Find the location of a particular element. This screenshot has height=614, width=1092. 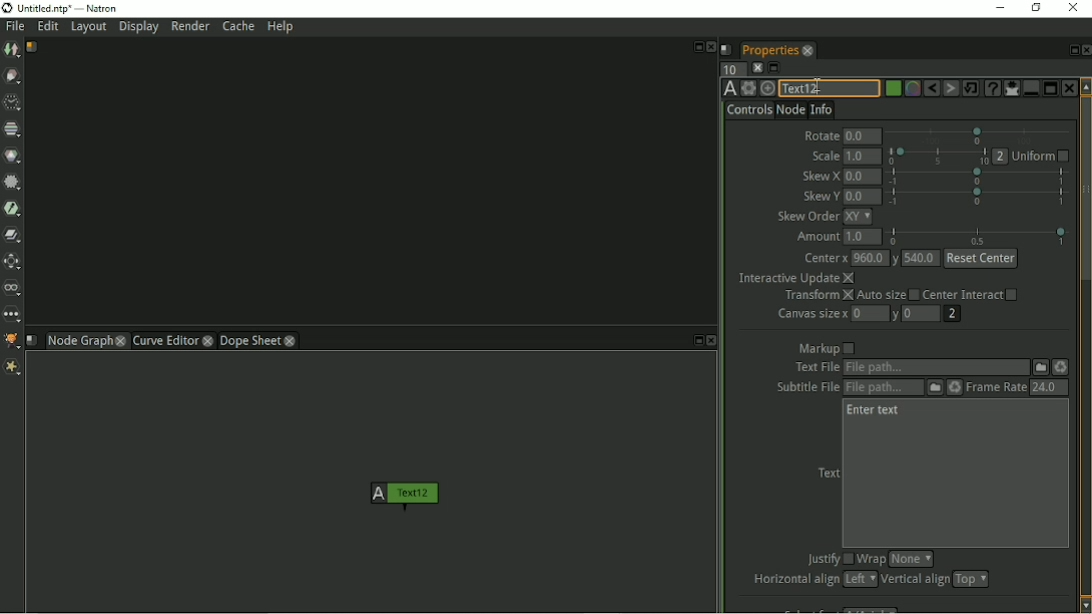

Text is located at coordinates (827, 473).